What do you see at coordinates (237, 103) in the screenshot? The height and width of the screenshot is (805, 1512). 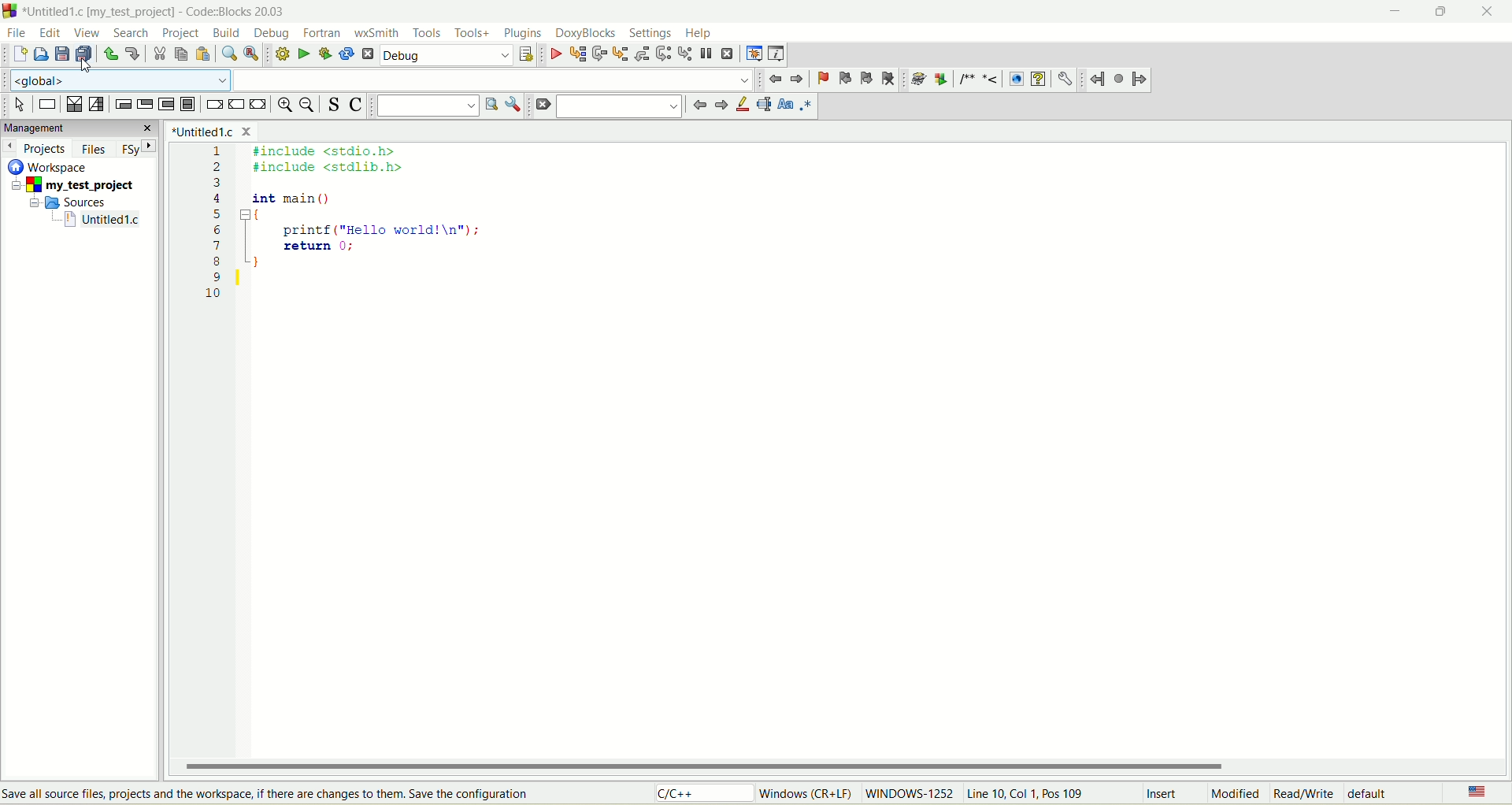 I see `continue instruction` at bounding box center [237, 103].